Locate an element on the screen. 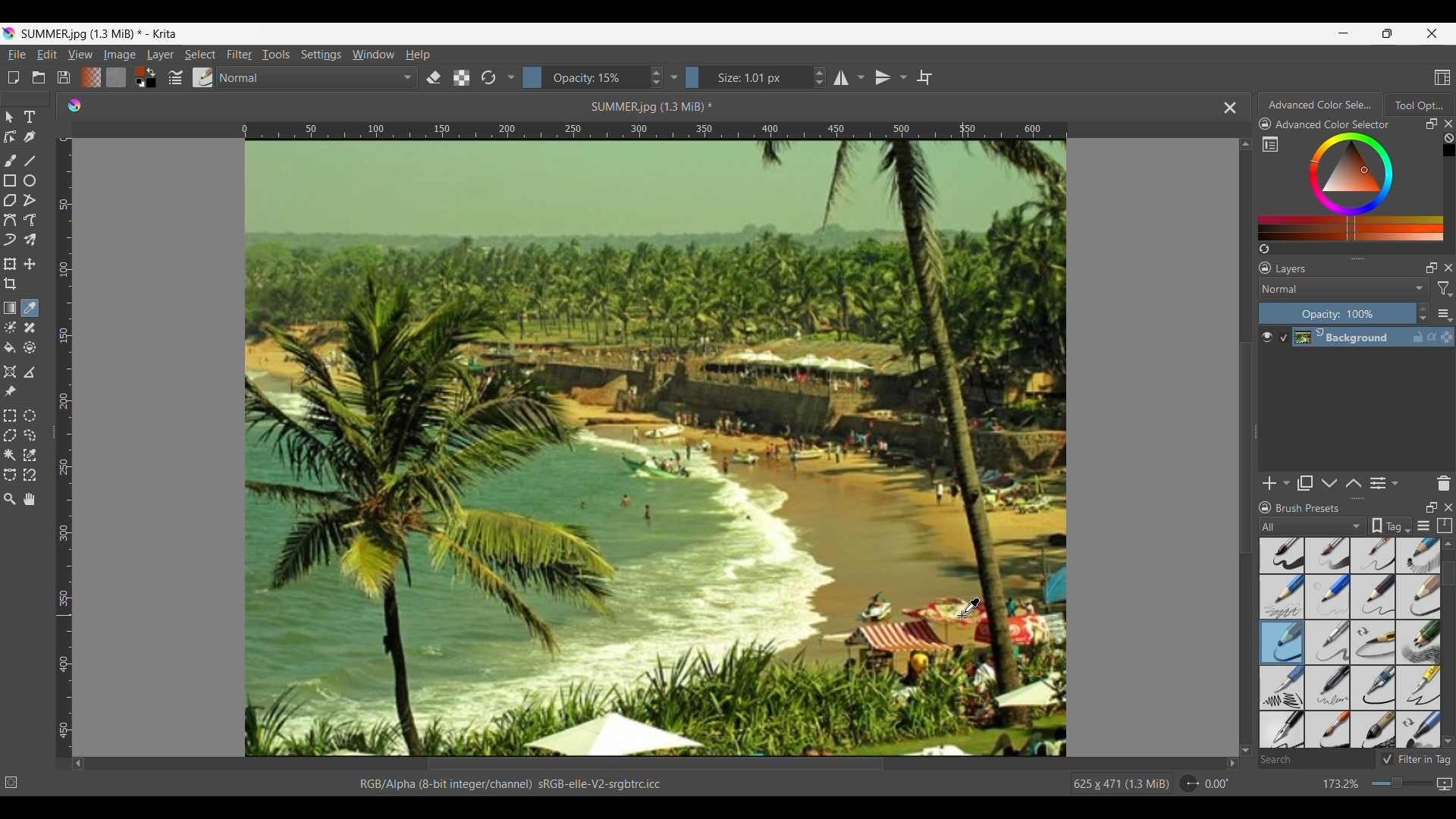 Image resolution: width=1456 pixels, height=819 pixels. Horizontal mirror tool settings is located at coordinates (860, 77).